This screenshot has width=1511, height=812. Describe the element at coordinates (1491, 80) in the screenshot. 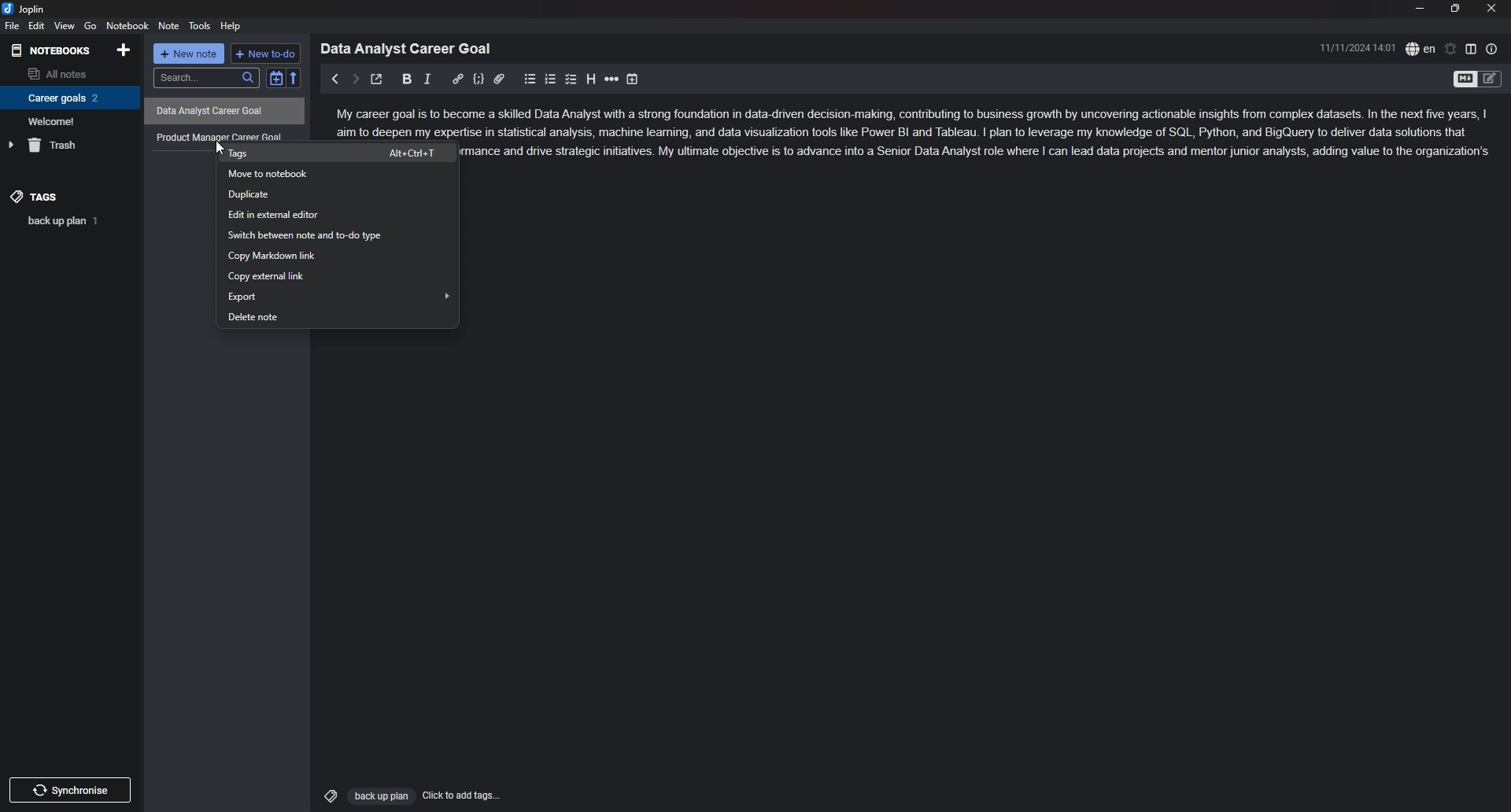

I see `Toggle Editor` at that location.